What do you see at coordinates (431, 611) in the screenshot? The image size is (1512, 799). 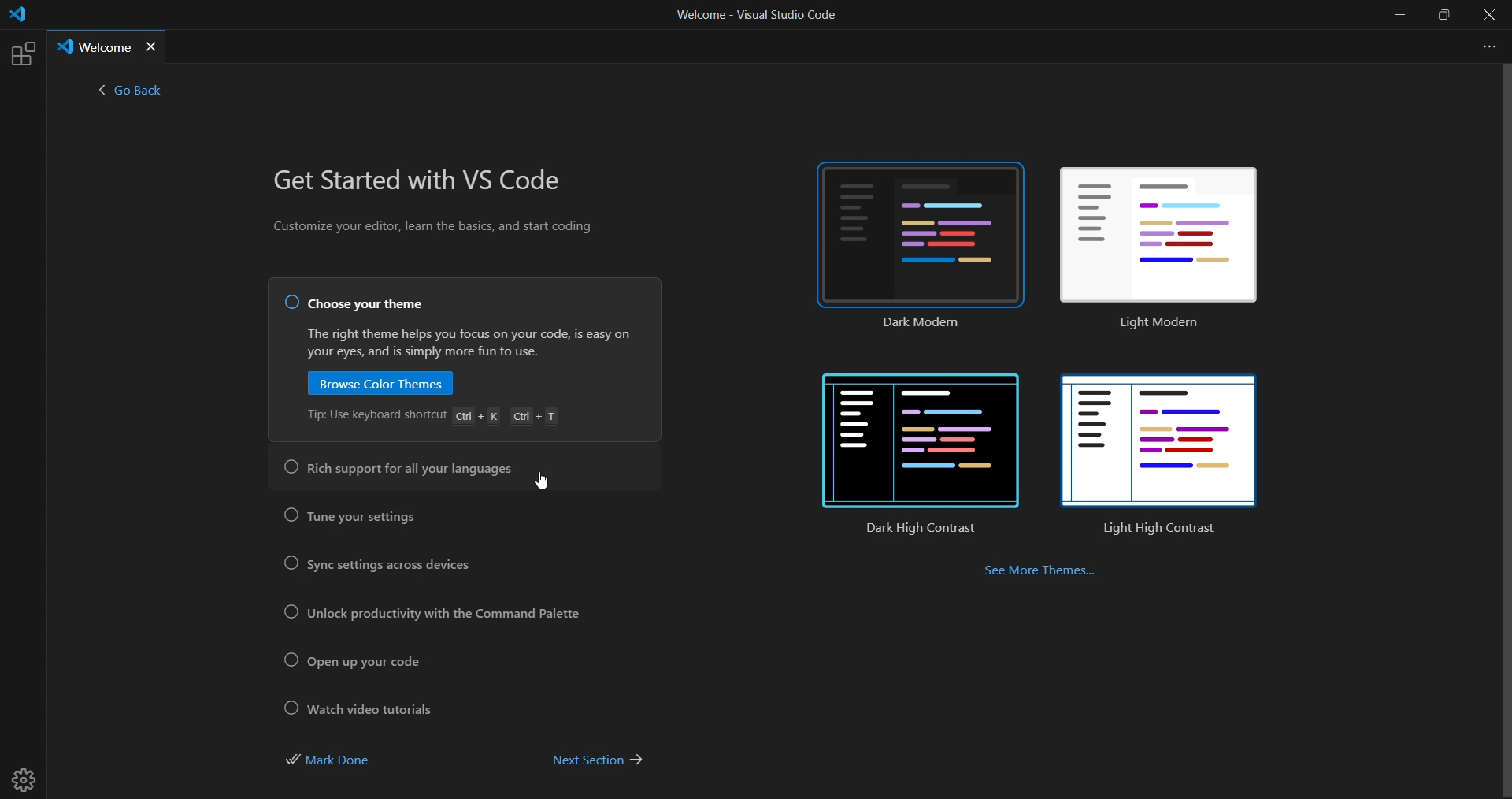 I see `unlock productivity with the command palette` at bounding box center [431, 611].